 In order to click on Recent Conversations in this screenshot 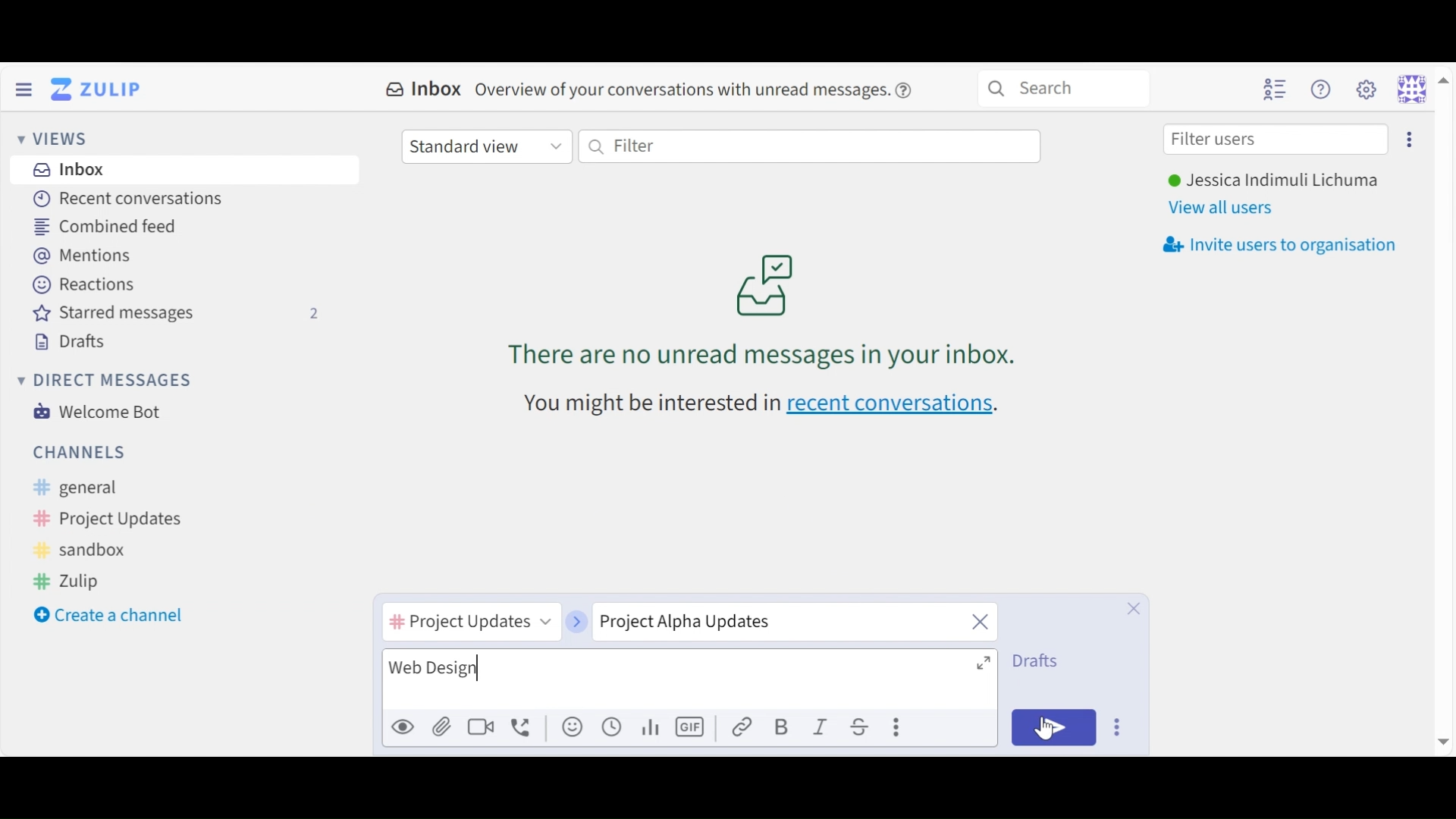, I will do `click(130, 199)`.